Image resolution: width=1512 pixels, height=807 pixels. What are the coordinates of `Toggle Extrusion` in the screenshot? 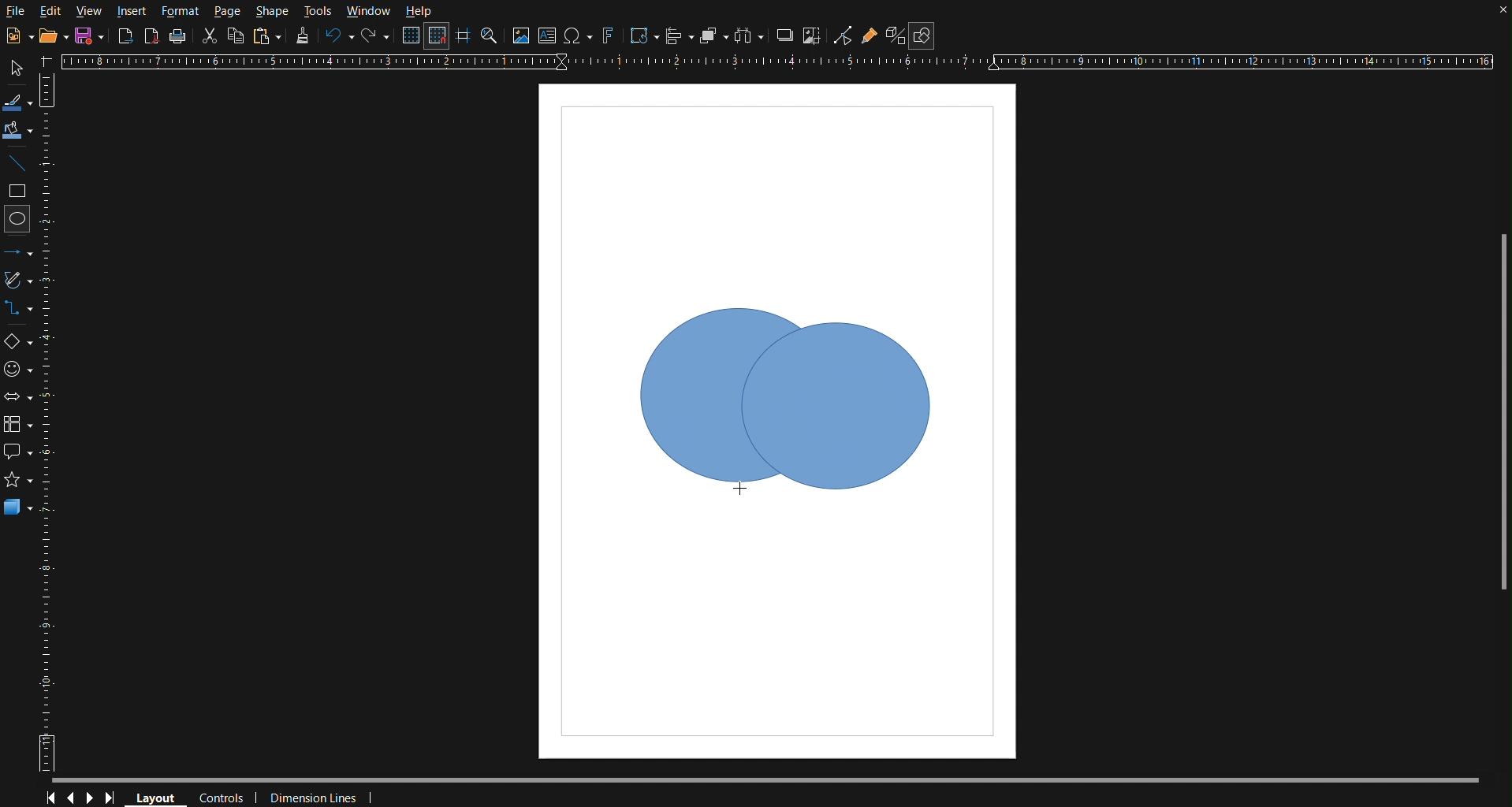 It's located at (895, 36).